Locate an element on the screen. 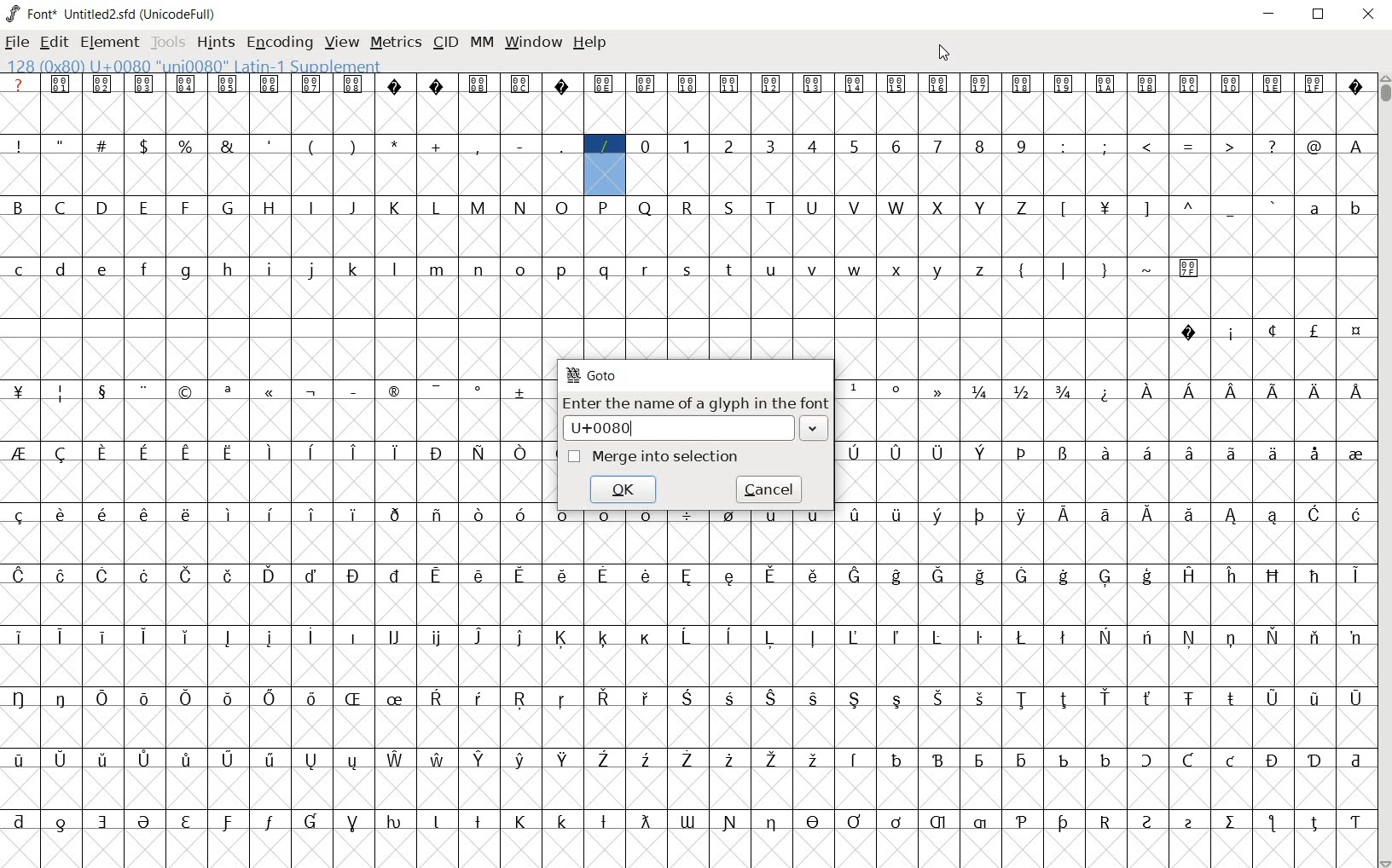  glyph is located at coordinates (103, 822).